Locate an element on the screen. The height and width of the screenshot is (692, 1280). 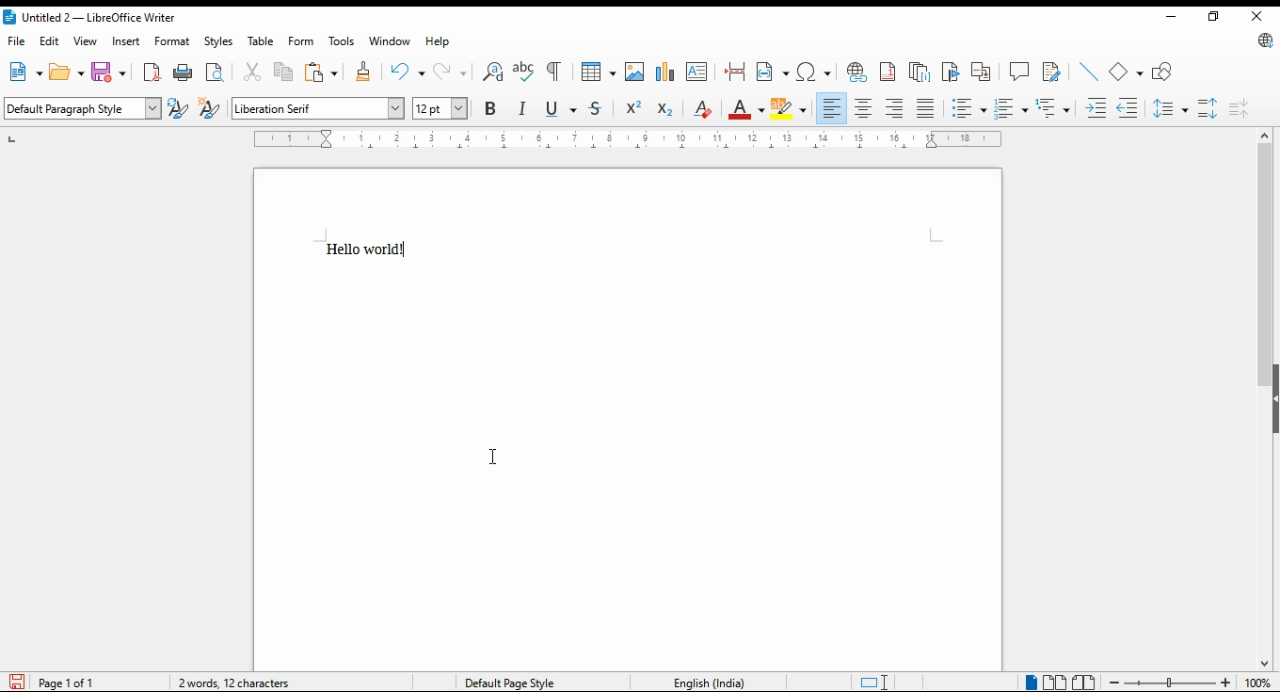
font size is located at coordinates (442, 109).